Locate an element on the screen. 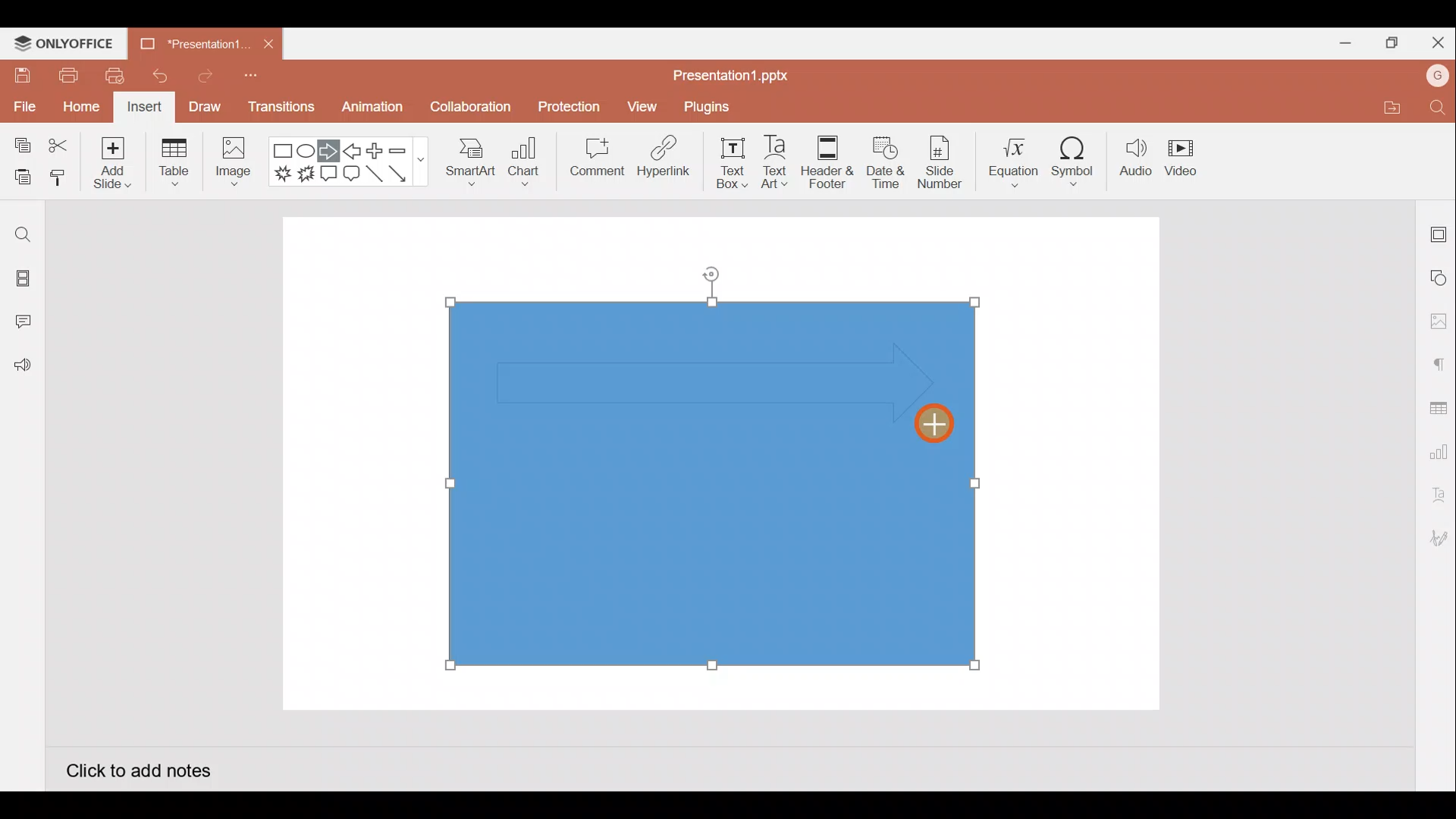 This screenshot has height=819, width=1456. Text Art settings is located at coordinates (1437, 495).